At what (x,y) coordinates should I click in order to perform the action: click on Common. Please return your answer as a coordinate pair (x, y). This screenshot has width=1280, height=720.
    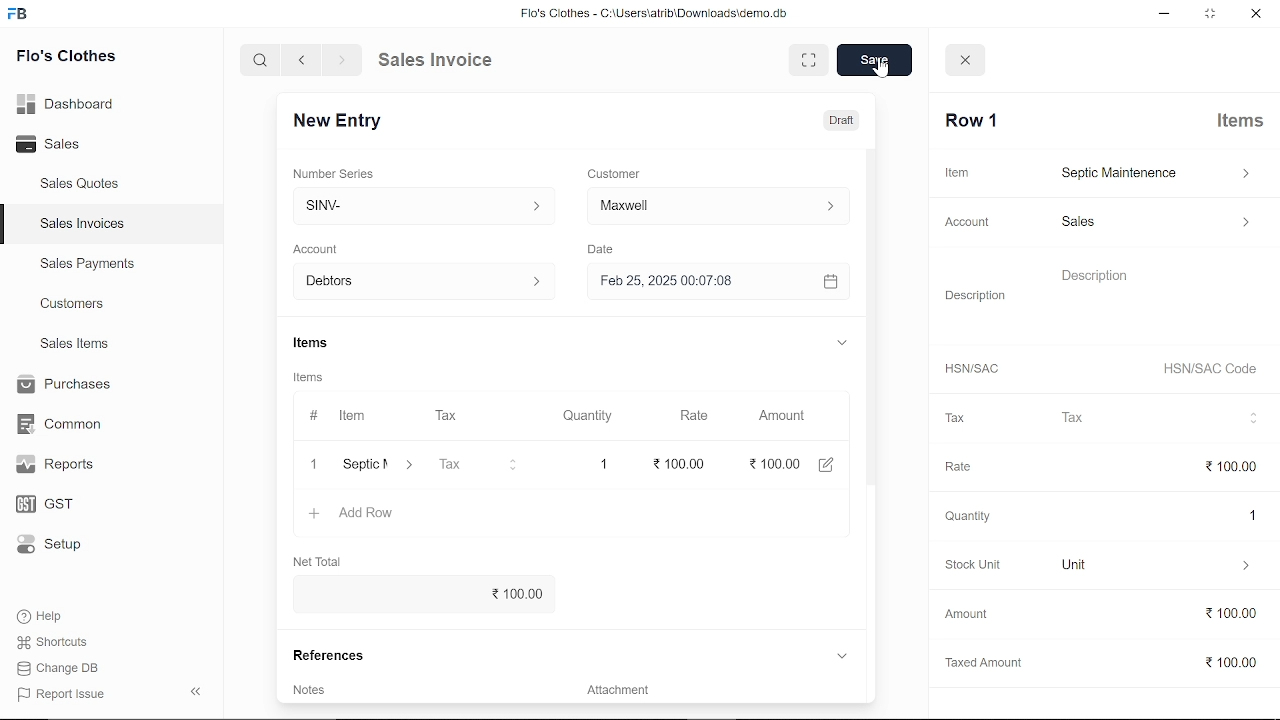
    Looking at the image, I should click on (62, 424).